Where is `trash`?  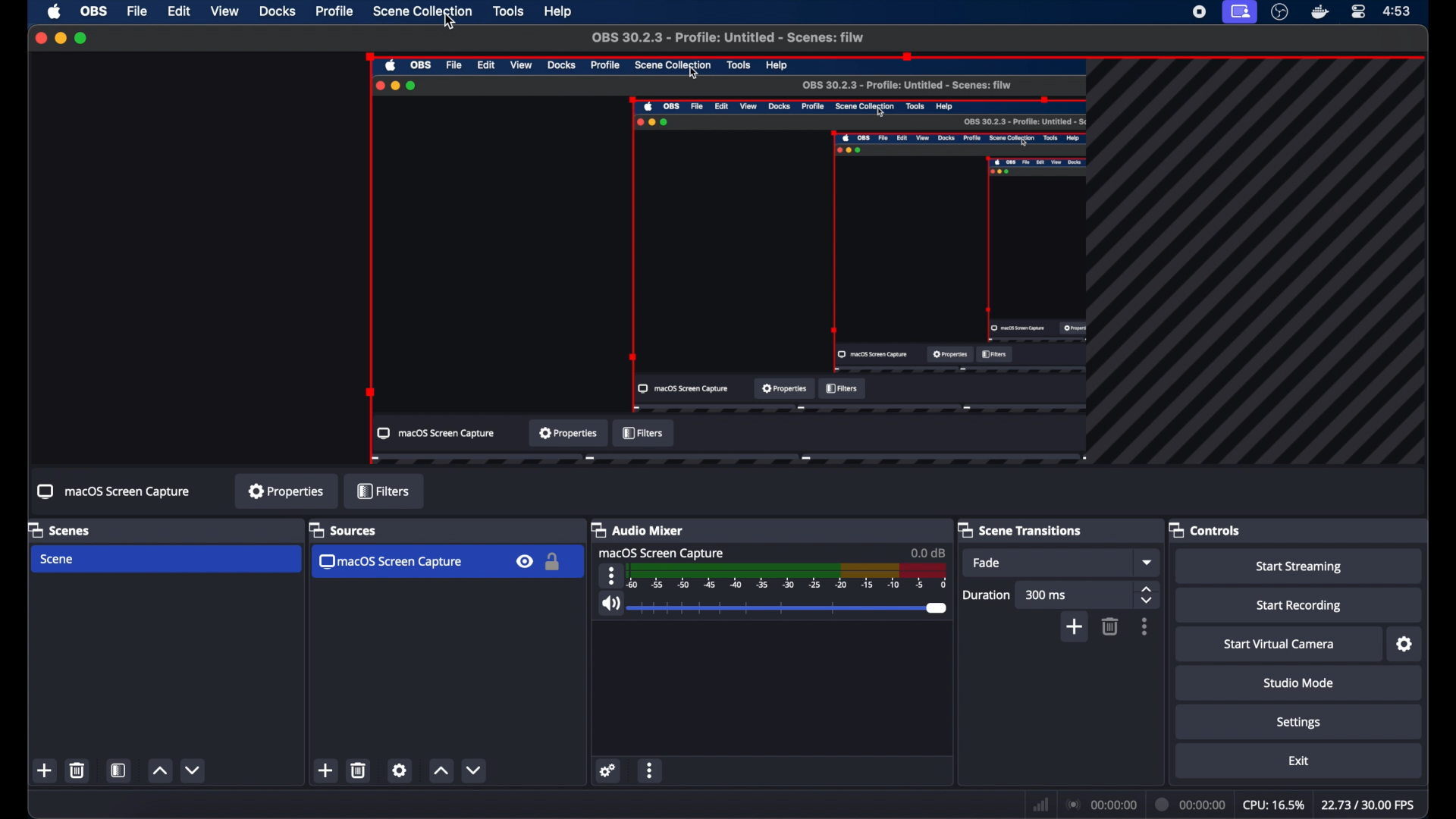
trash is located at coordinates (358, 770).